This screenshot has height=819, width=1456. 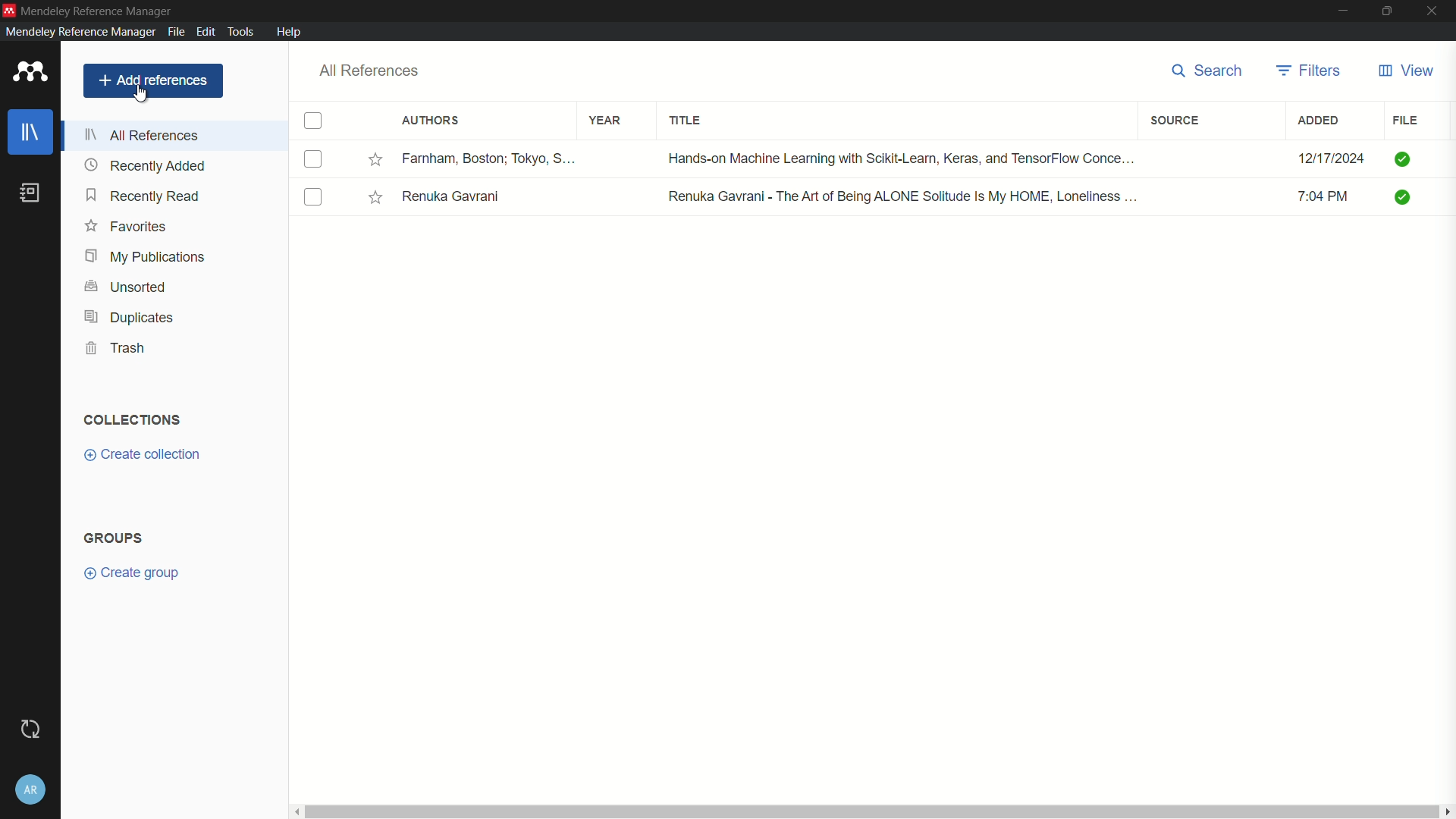 I want to click on create collection, so click(x=142, y=454).